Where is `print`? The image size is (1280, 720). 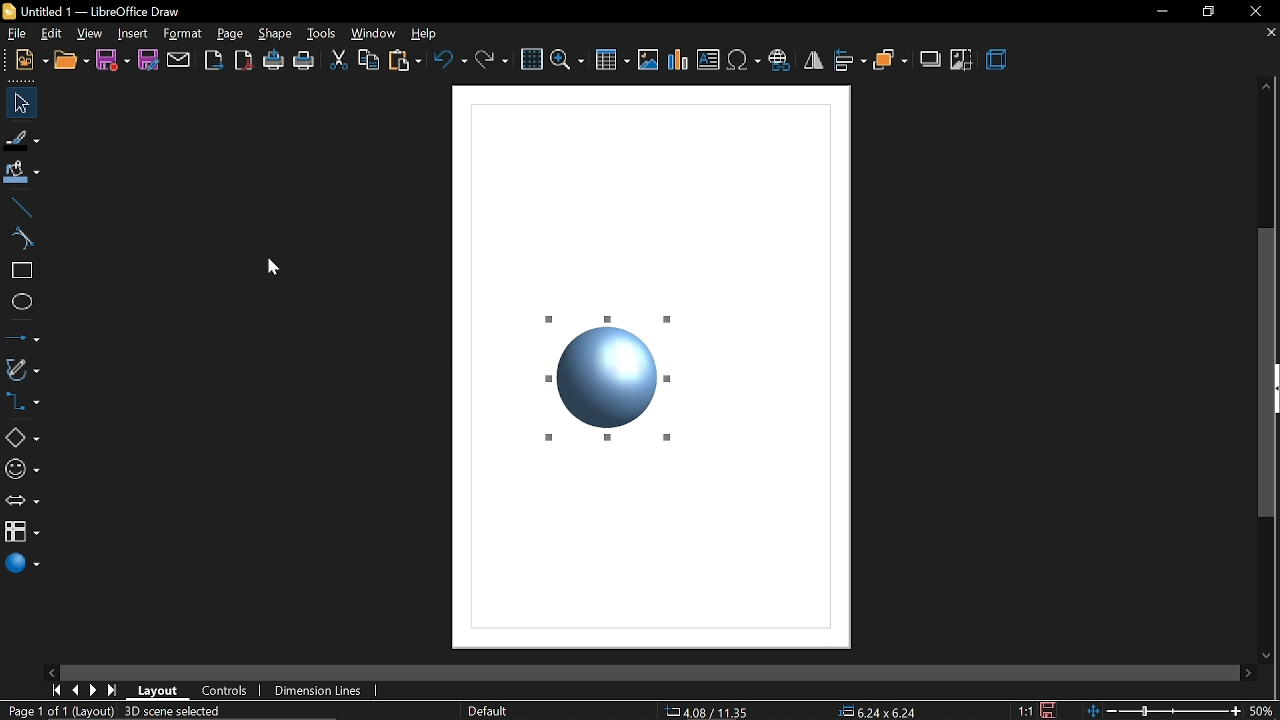 print is located at coordinates (305, 61).